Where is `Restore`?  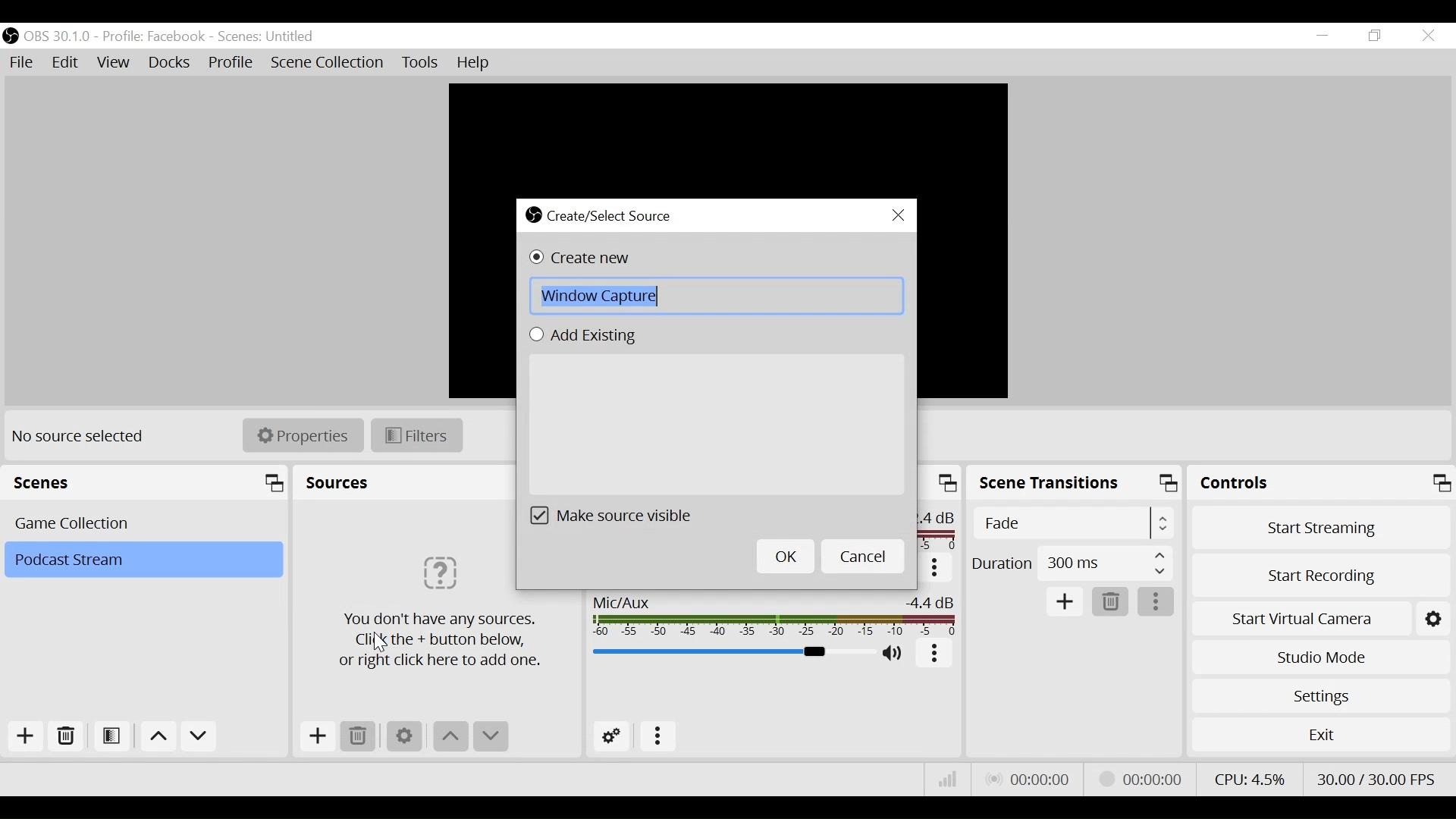
Restore is located at coordinates (1376, 36).